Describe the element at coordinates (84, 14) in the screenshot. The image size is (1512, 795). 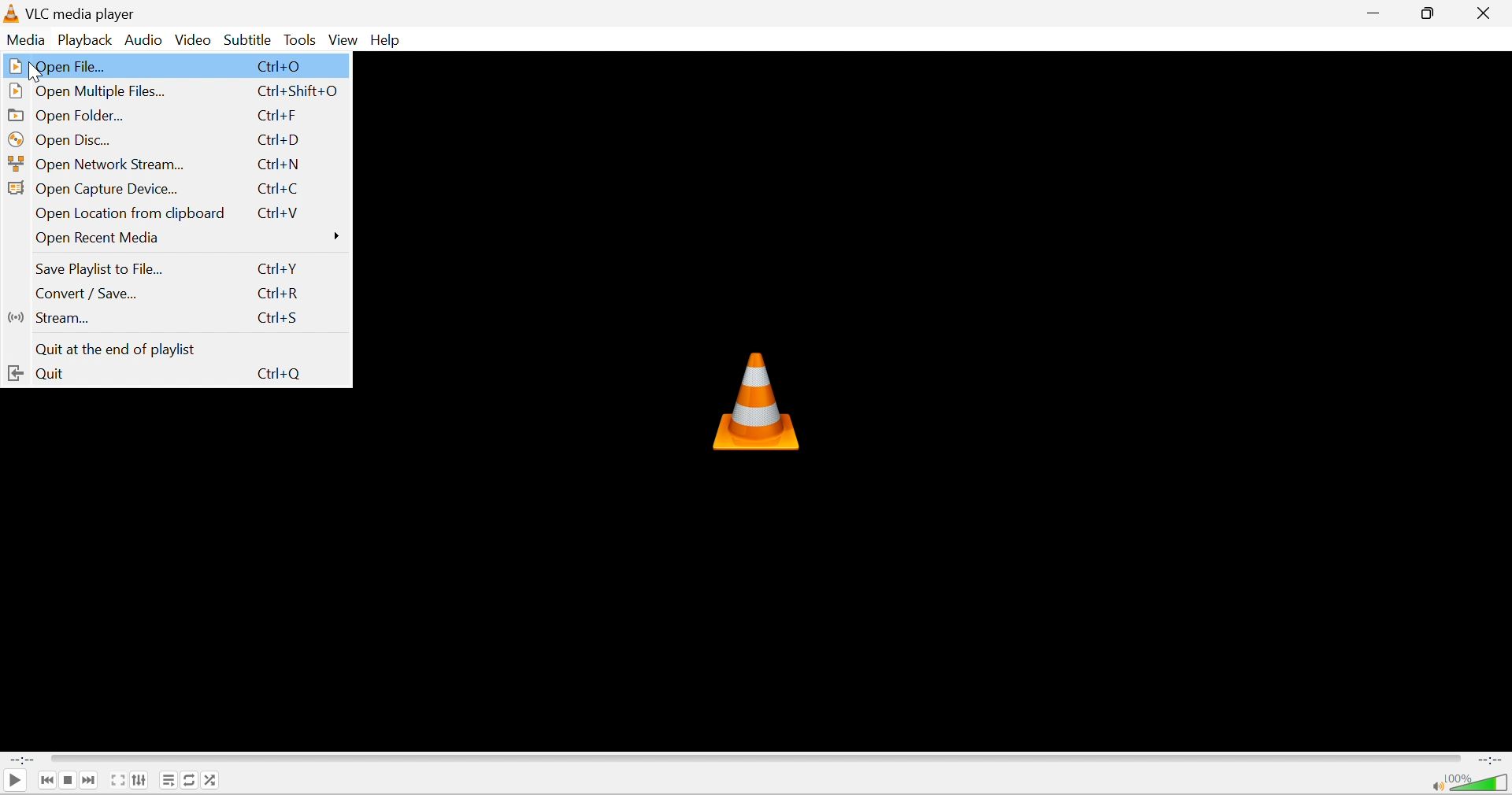
I see `VLC Media player` at that location.